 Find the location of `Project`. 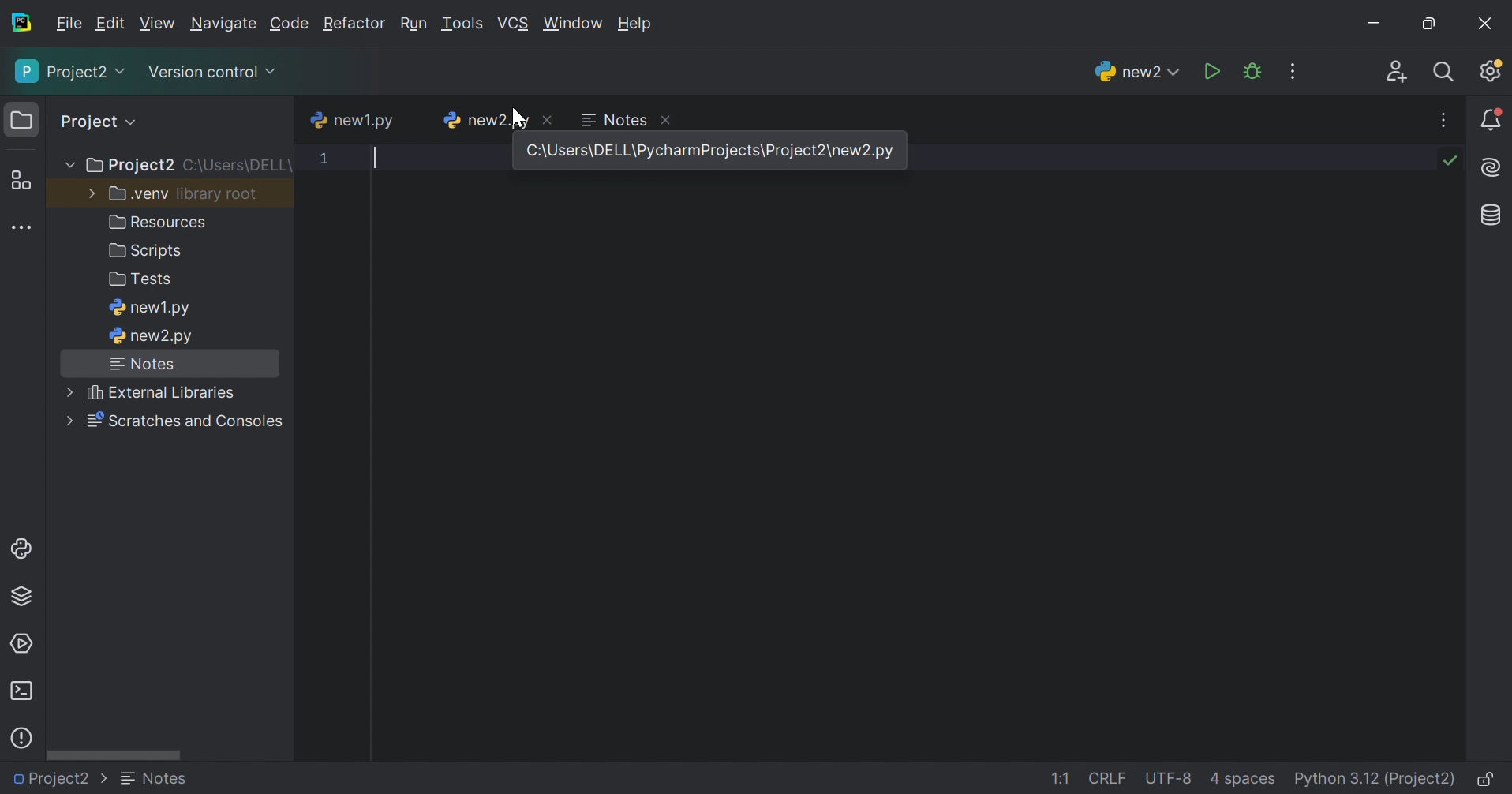

Project is located at coordinates (91, 121).